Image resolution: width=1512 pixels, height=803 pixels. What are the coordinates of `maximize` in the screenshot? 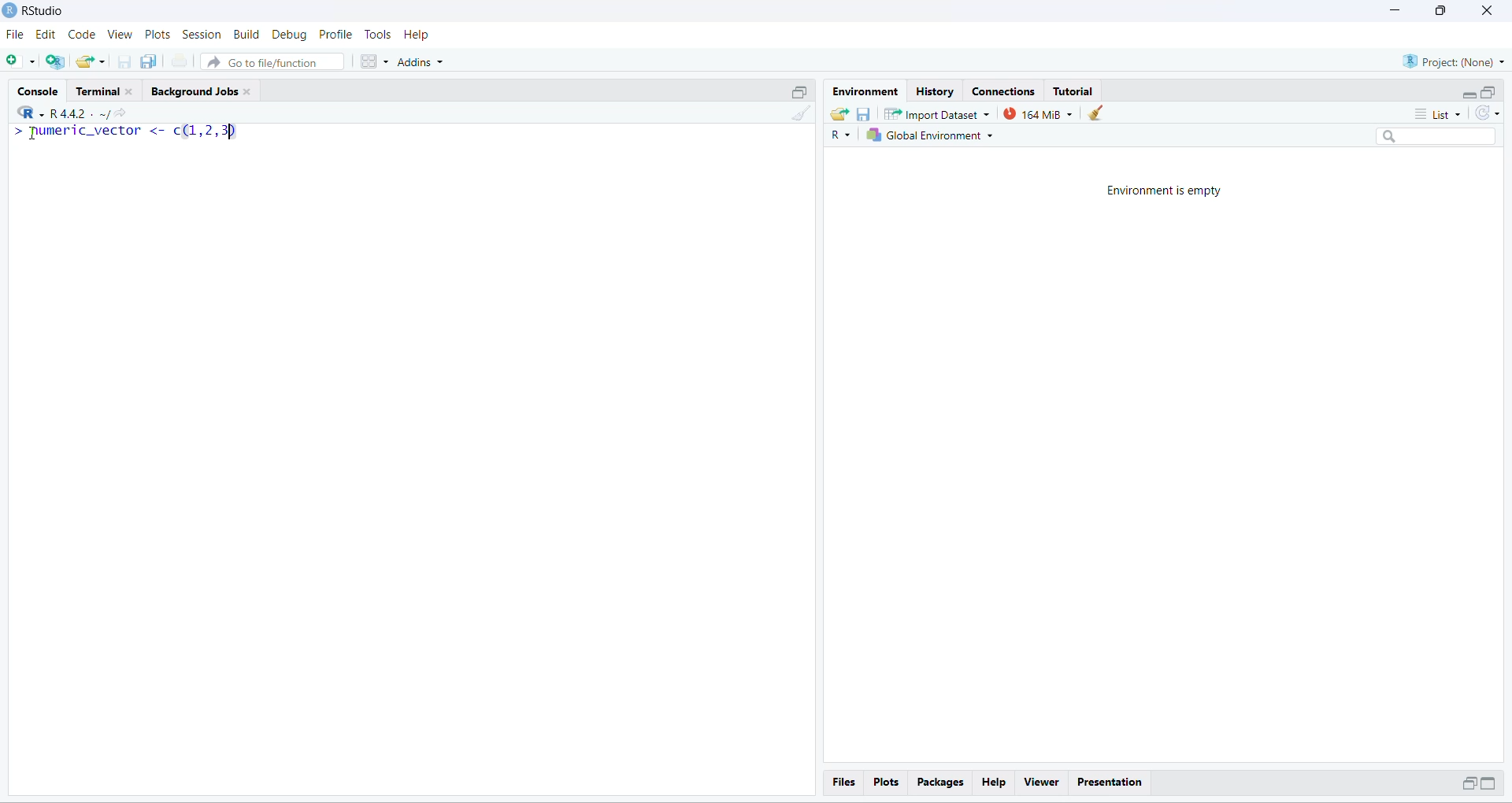 It's located at (799, 91).